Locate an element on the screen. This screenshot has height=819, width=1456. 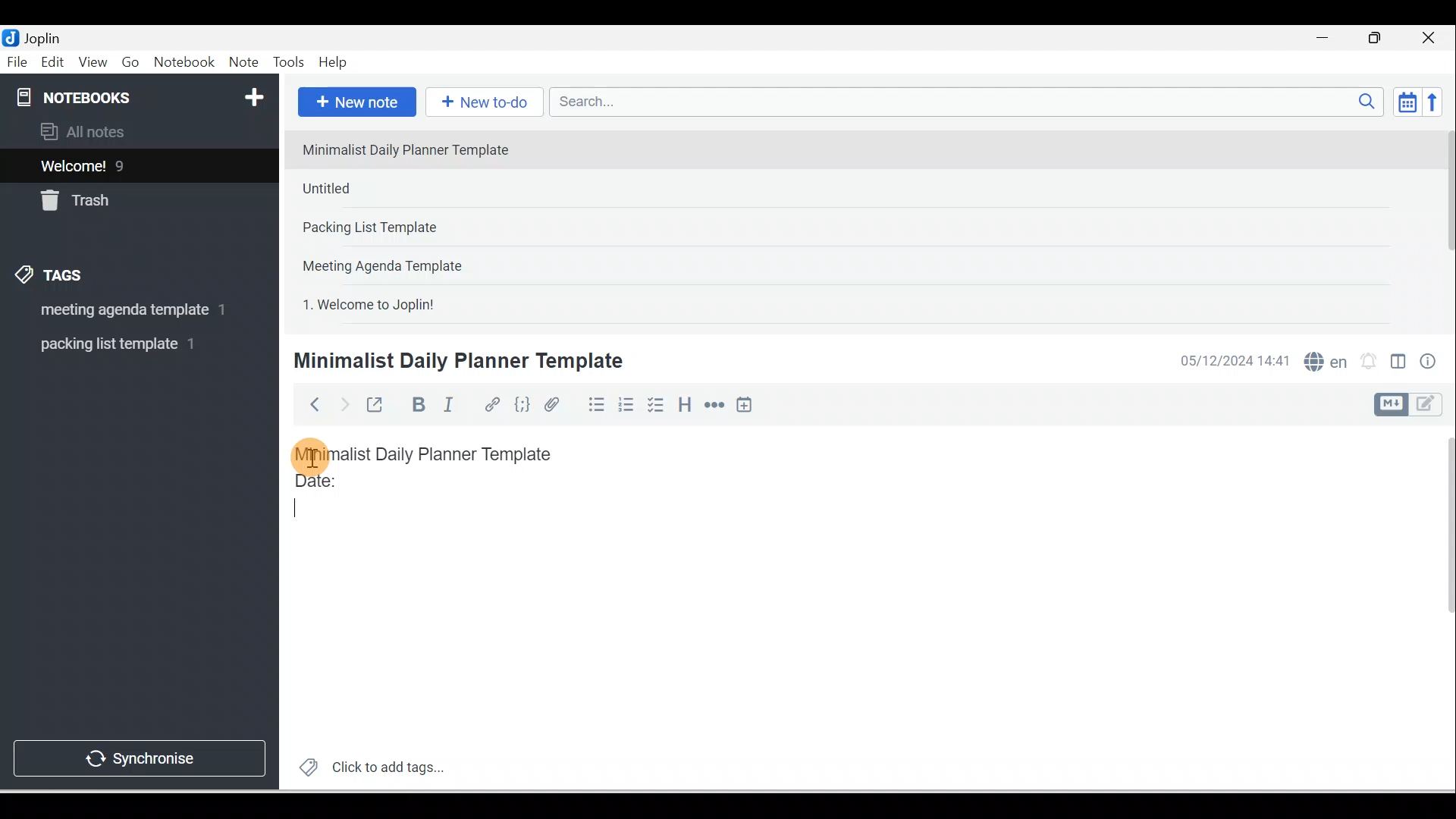
Notebooks is located at coordinates (143, 94).